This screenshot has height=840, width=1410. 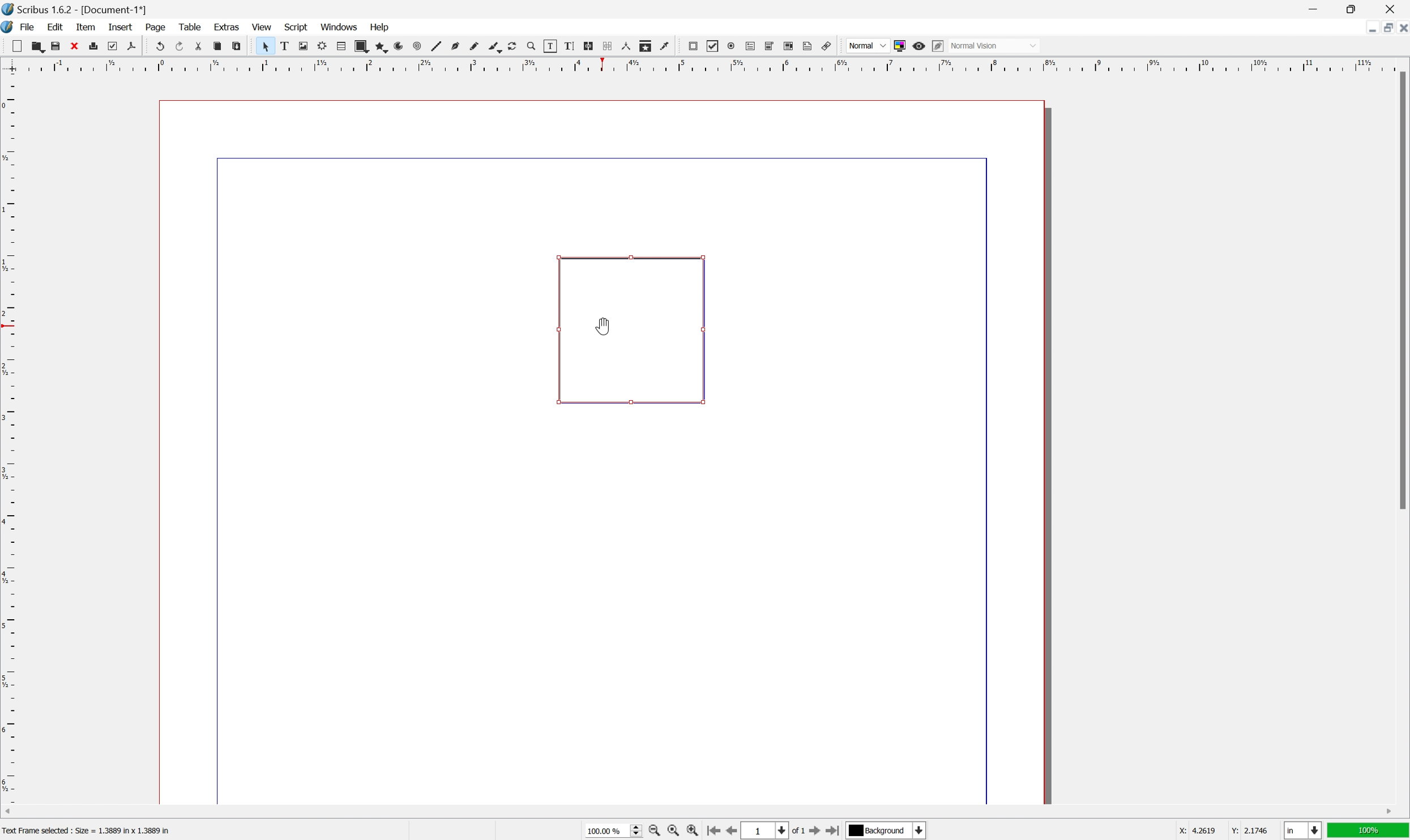 I want to click on link text frames, so click(x=589, y=46).